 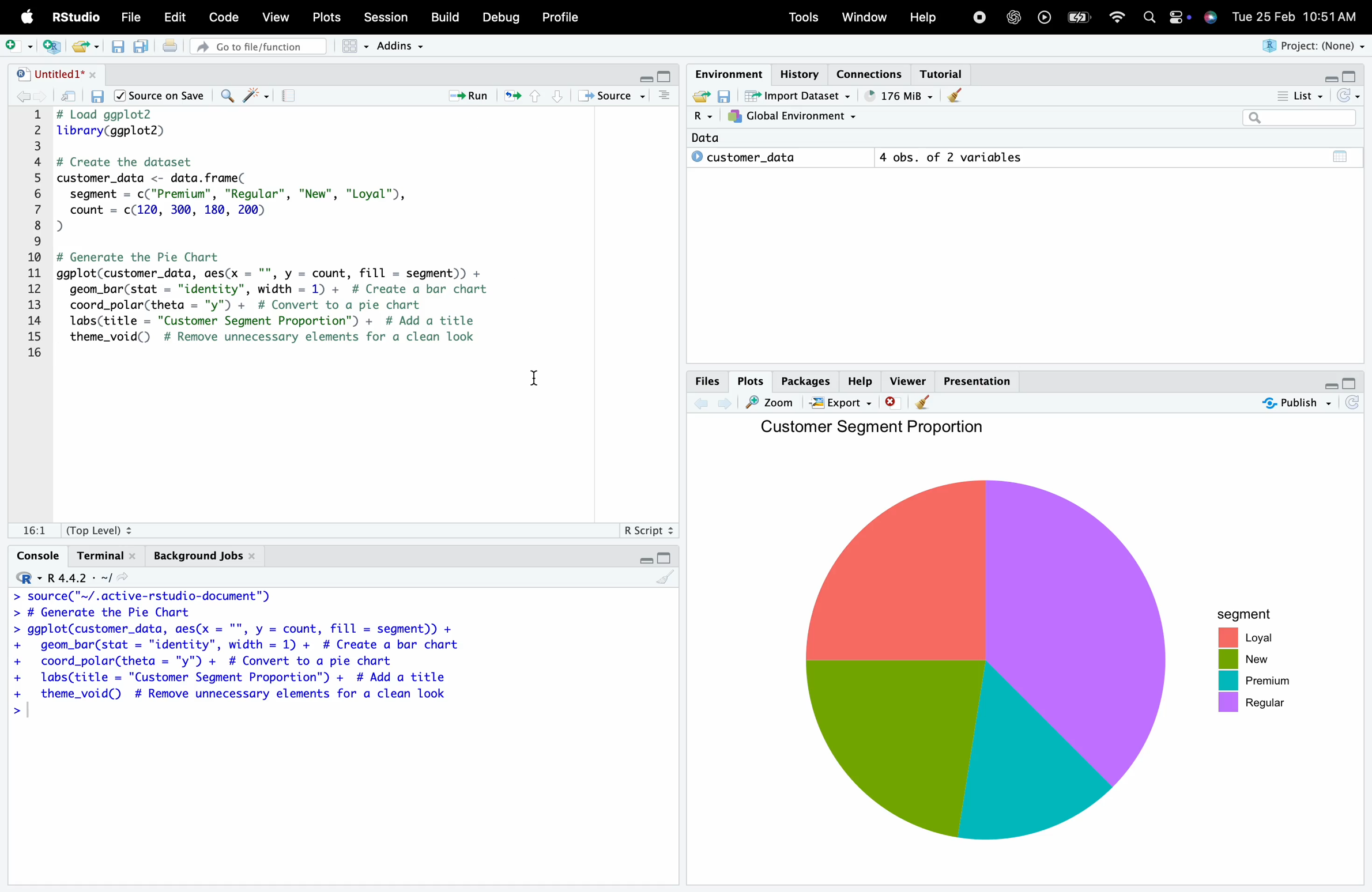 I want to click on Terminal, so click(x=105, y=552).